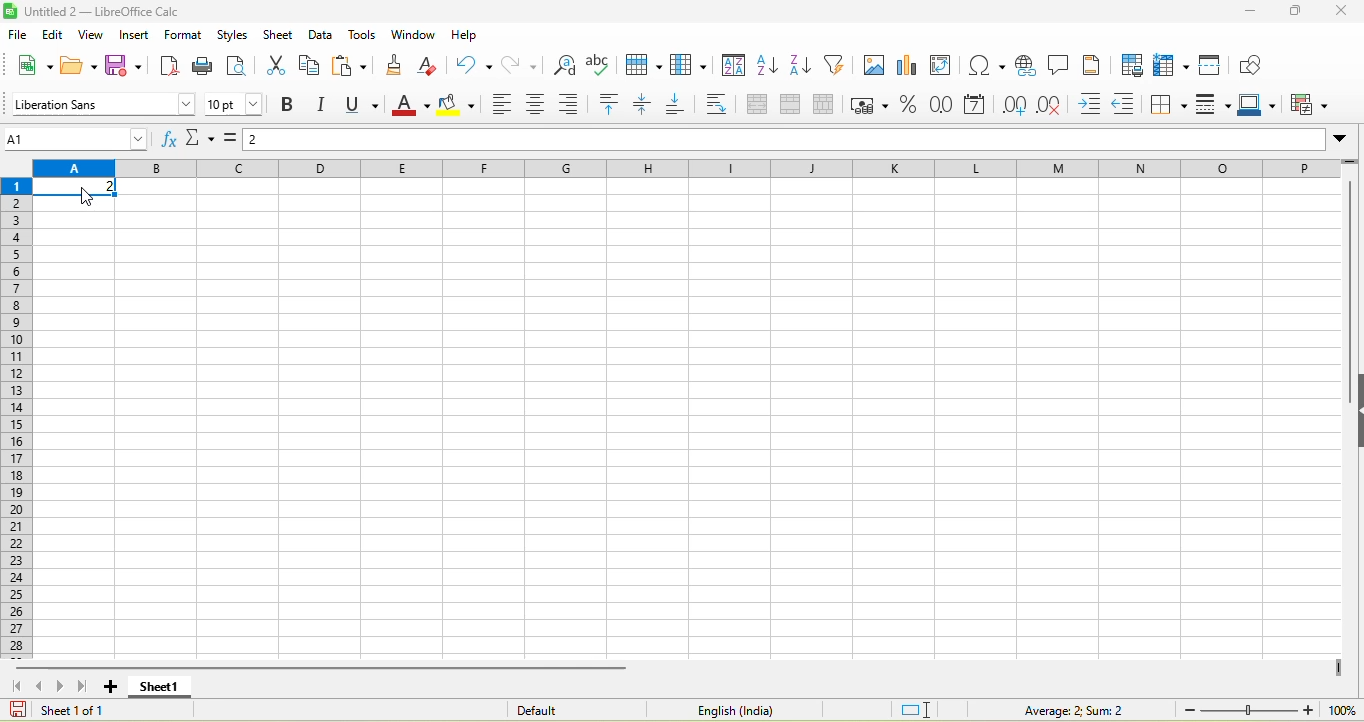 The image size is (1364, 722). What do you see at coordinates (1058, 106) in the screenshot?
I see `delete decimal` at bounding box center [1058, 106].